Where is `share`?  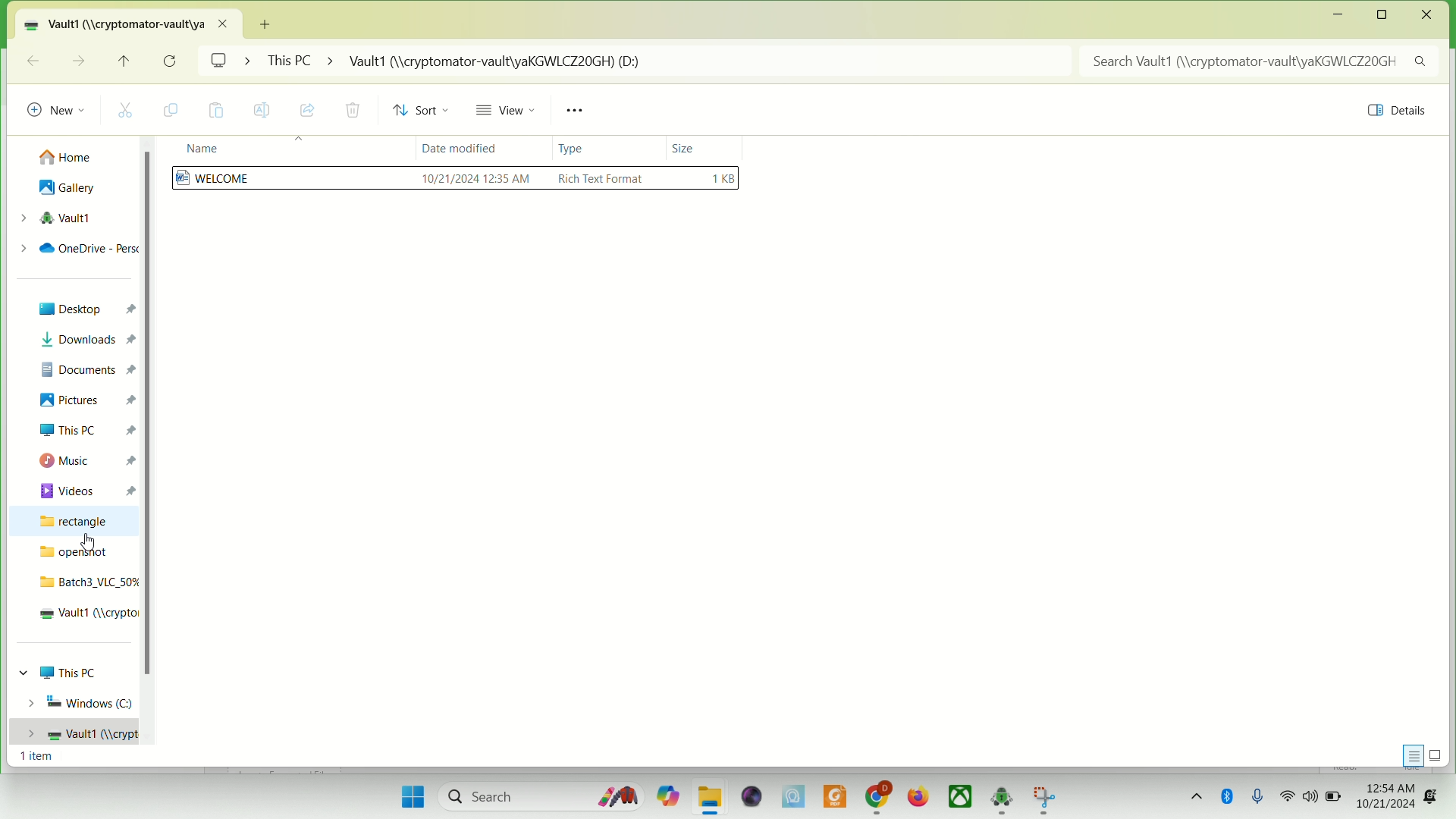
share is located at coordinates (308, 108).